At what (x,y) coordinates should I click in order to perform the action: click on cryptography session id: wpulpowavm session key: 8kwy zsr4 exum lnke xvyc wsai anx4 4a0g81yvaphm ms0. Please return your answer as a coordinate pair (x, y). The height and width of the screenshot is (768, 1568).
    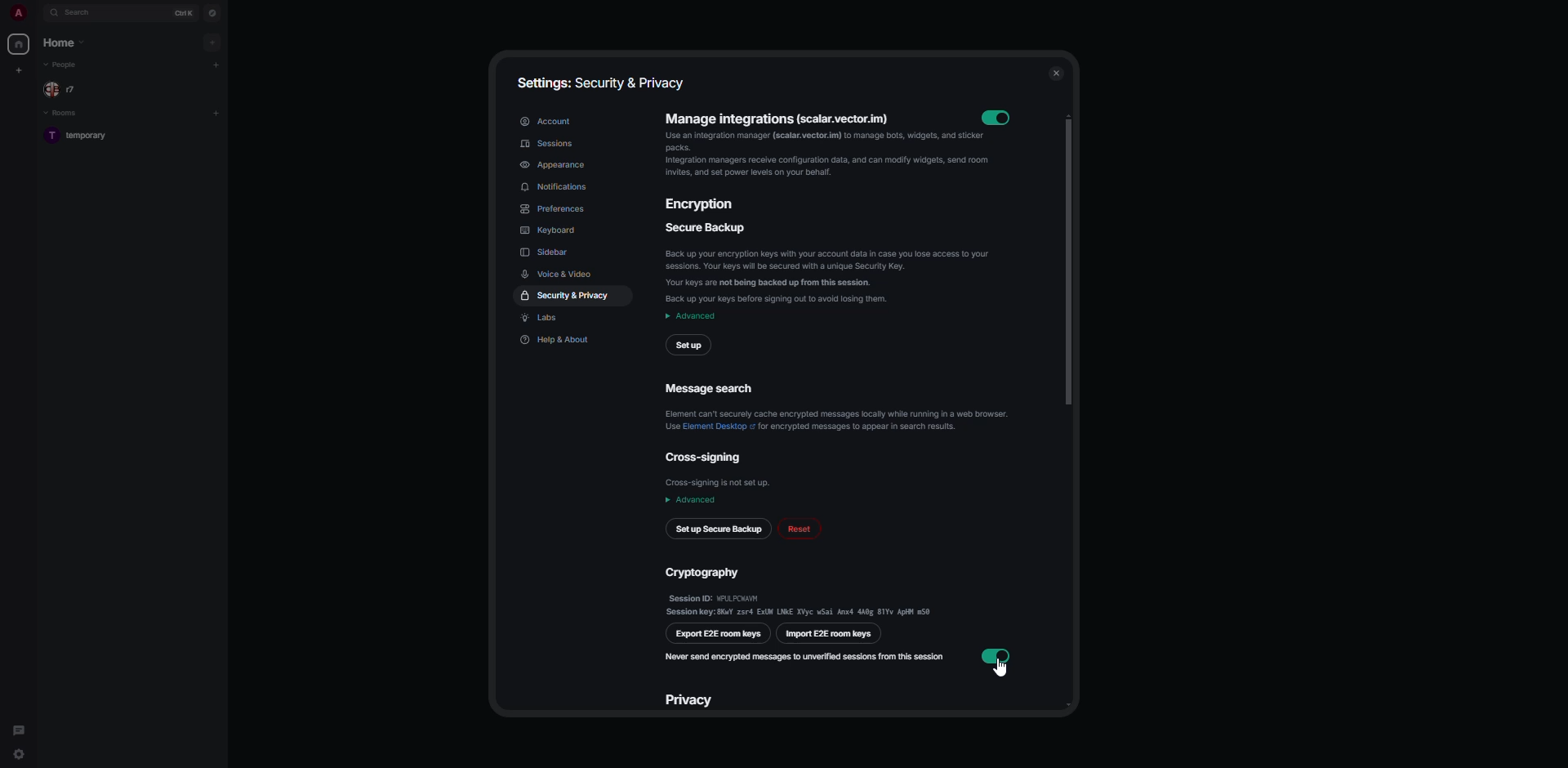
    Looking at the image, I should click on (802, 590).